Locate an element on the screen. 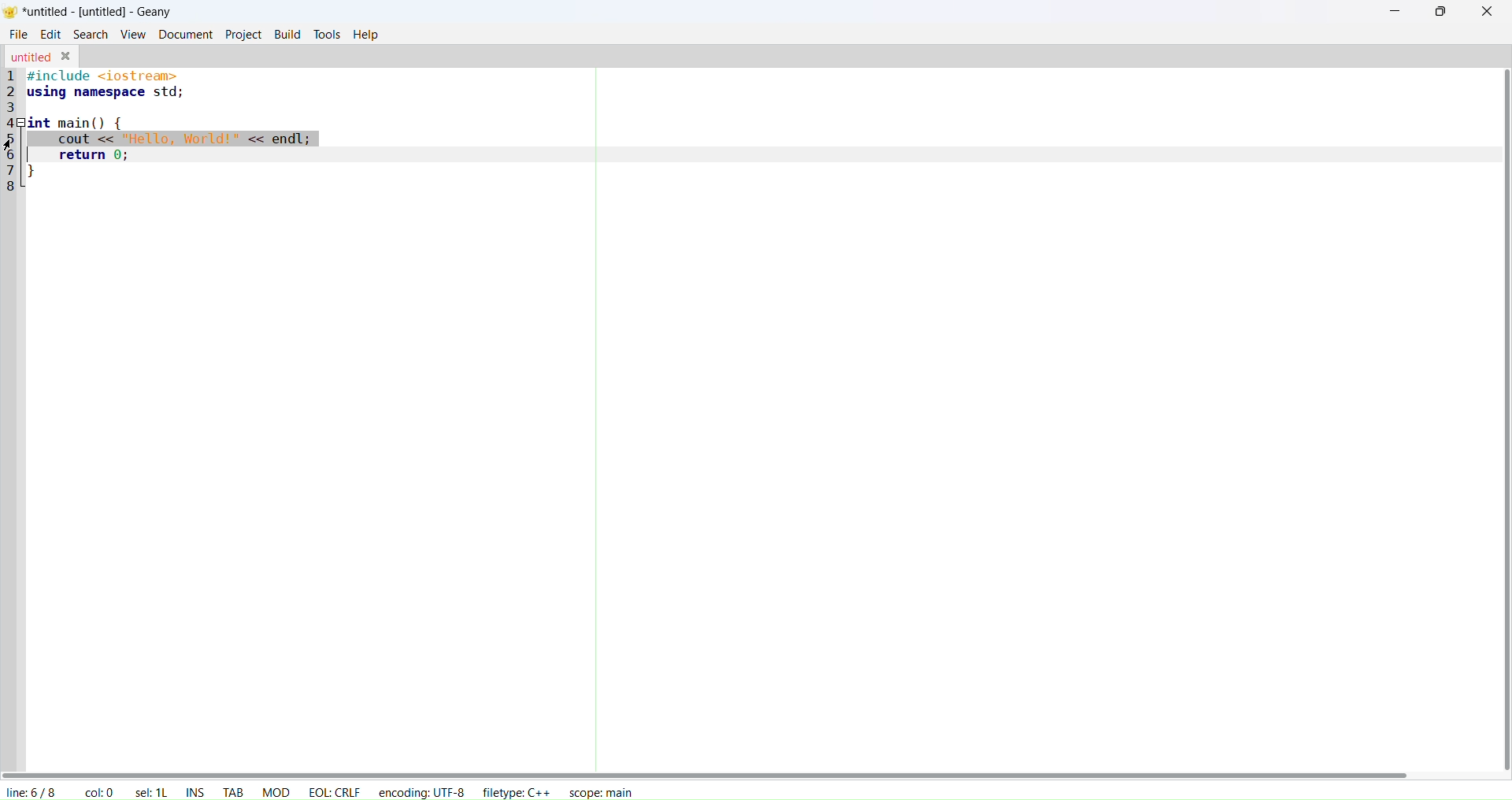  build is located at coordinates (287, 34).